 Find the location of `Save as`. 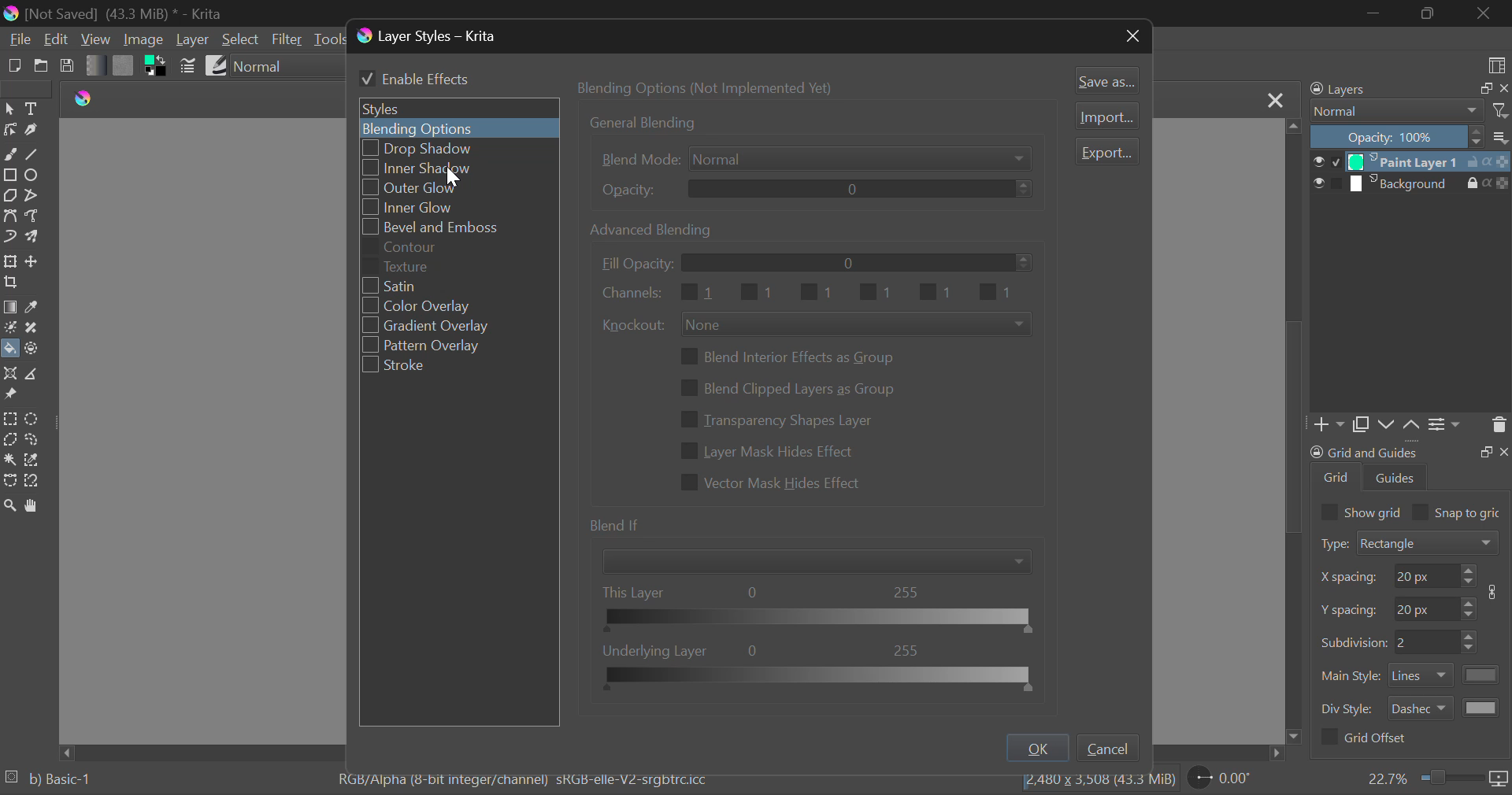

Save as is located at coordinates (1106, 79).